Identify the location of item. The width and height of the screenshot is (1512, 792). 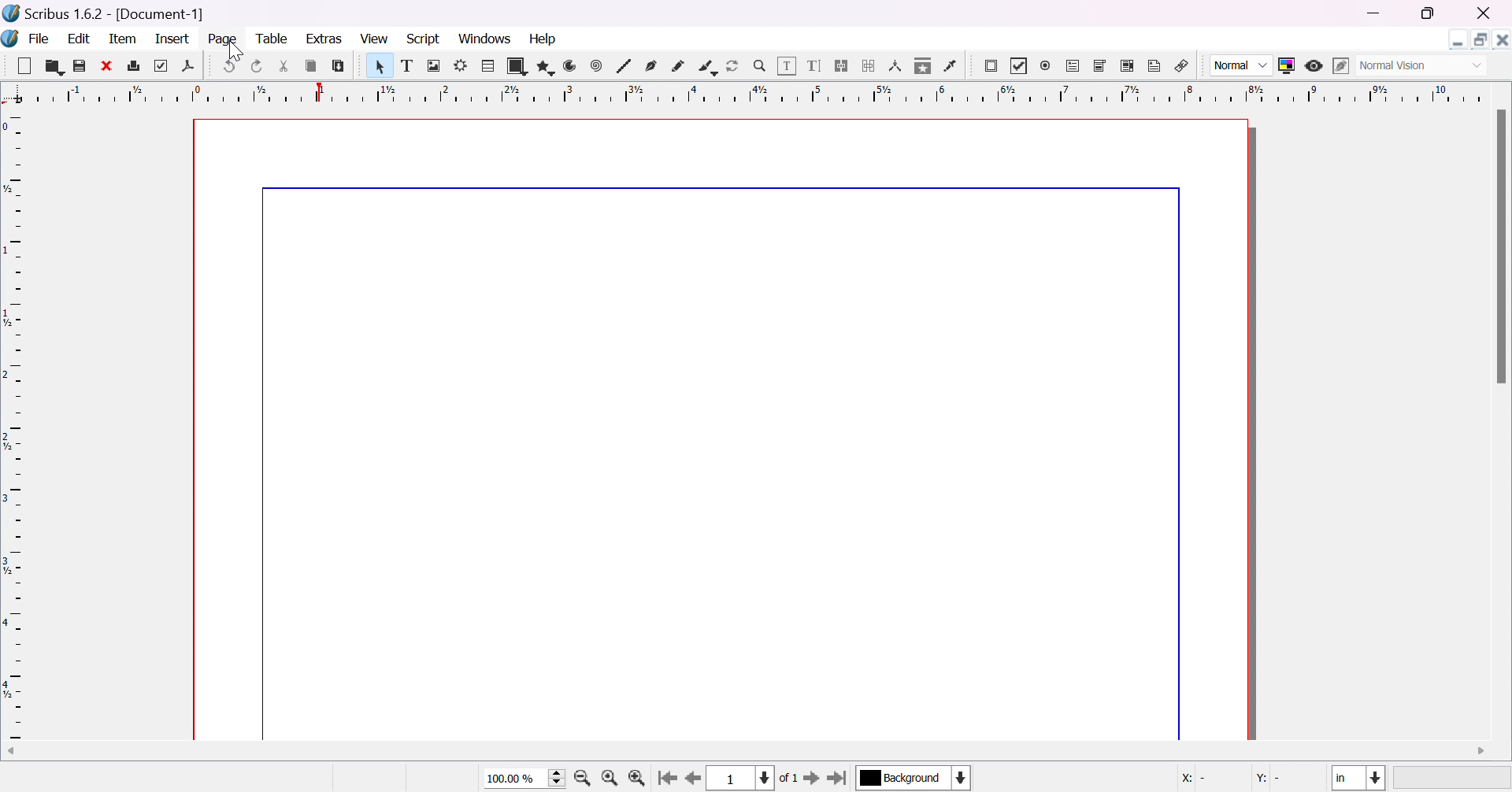
(124, 38).